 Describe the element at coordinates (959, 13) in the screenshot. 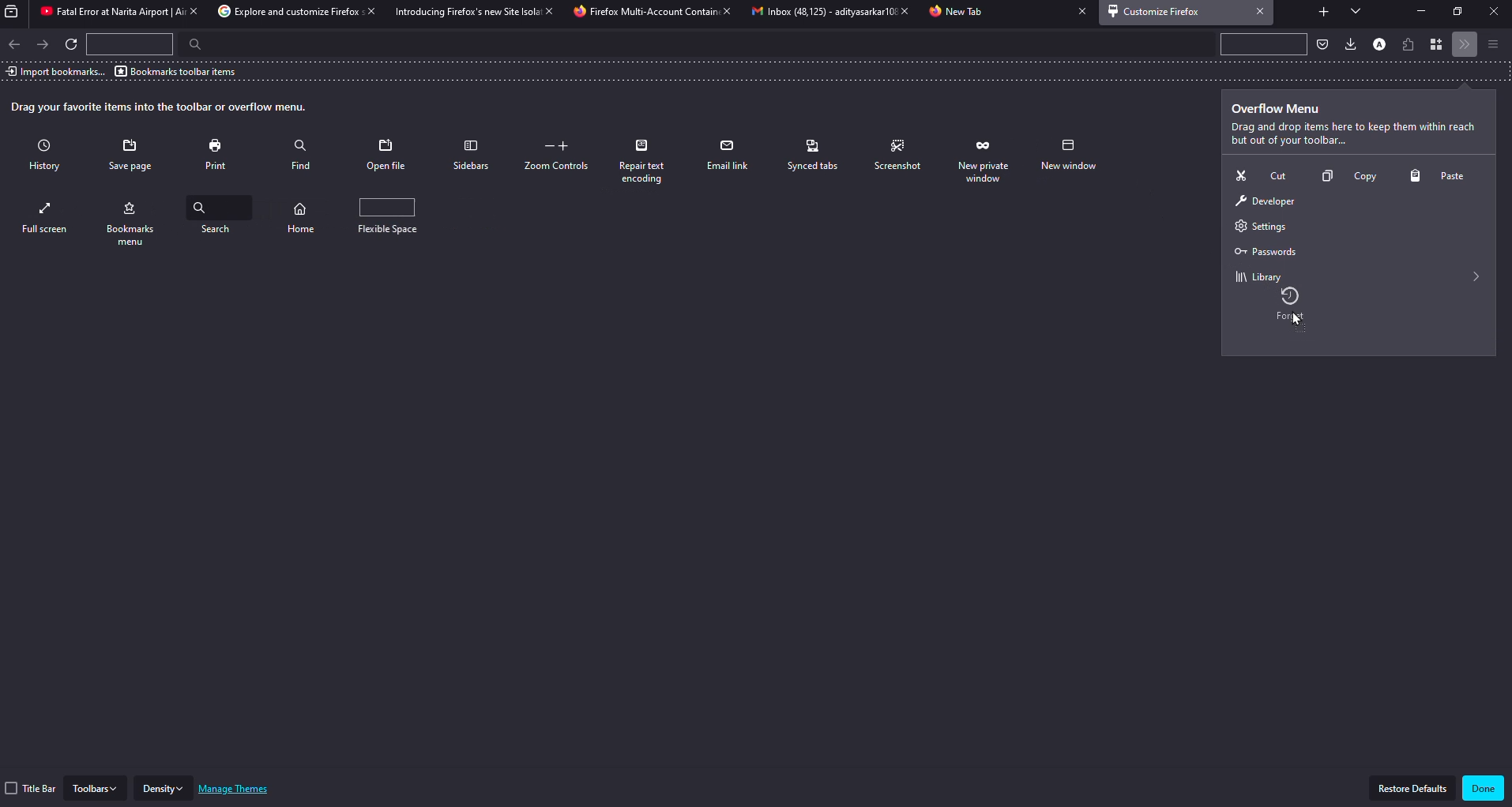

I see `tab` at that location.